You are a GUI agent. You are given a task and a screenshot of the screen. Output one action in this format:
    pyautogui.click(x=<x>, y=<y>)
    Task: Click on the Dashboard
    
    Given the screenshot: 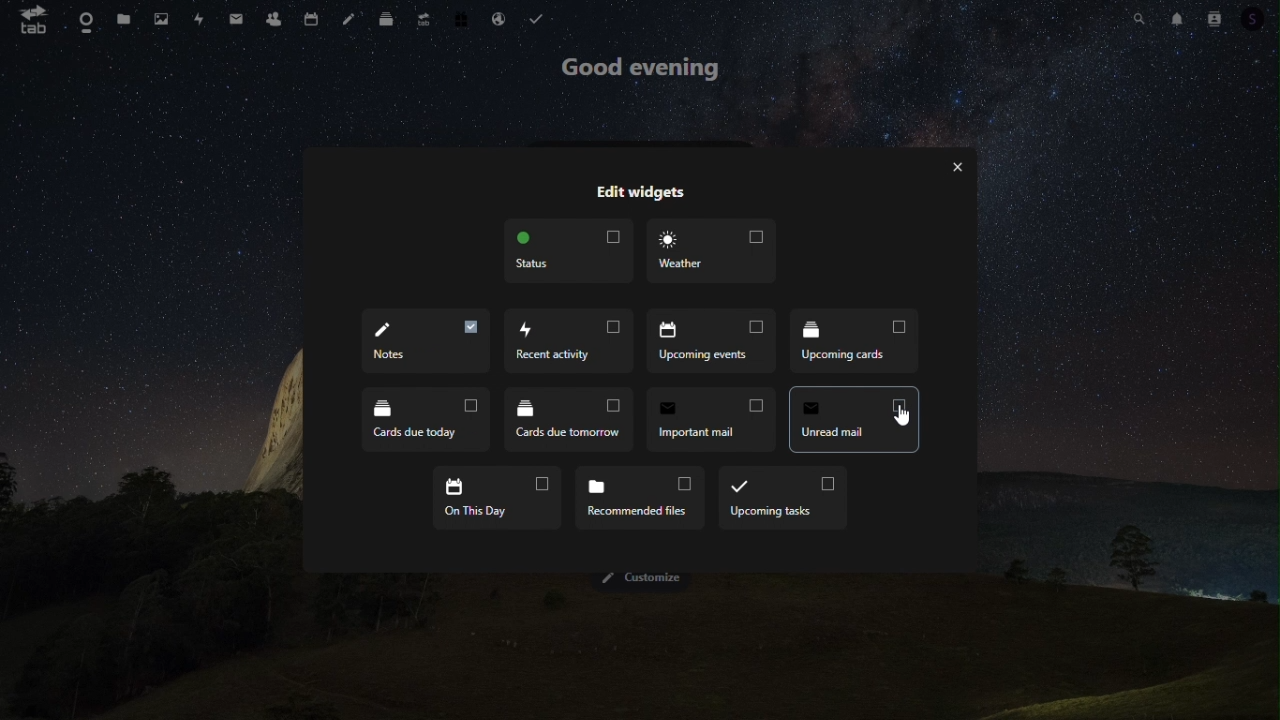 What is the action you would take?
    pyautogui.click(x=86, y=17)
    